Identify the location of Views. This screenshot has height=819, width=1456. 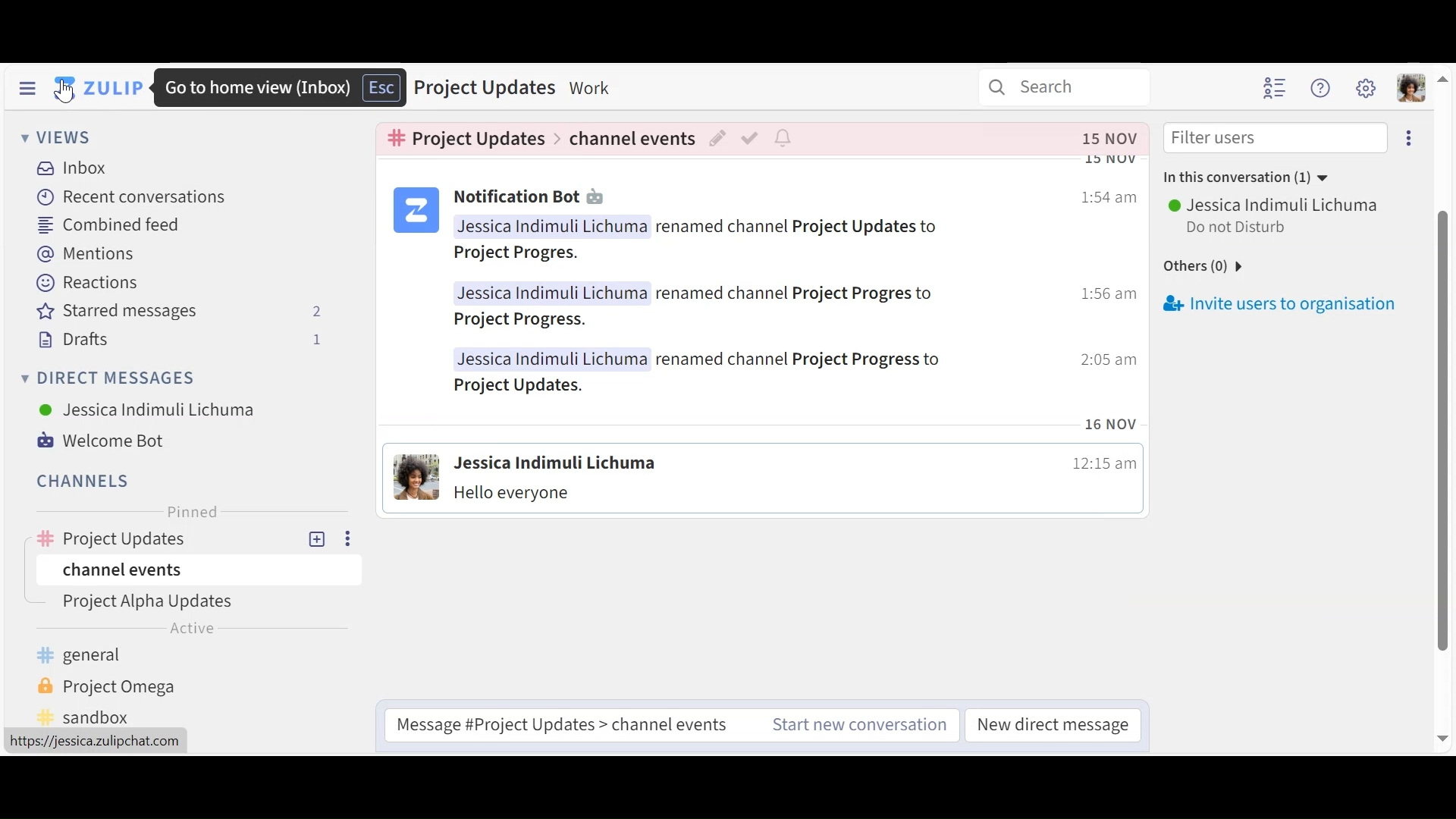
(56, 137).